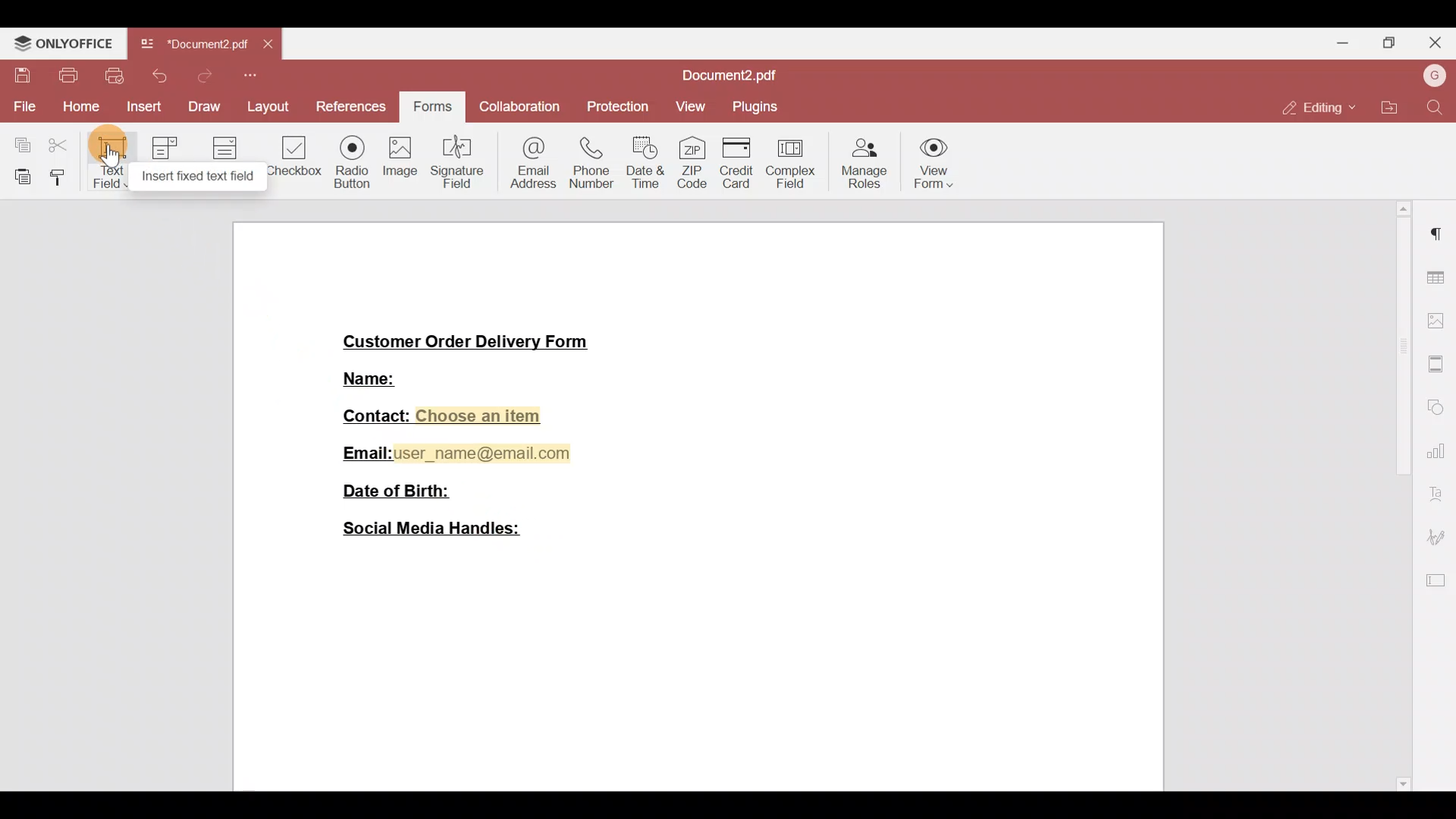 The height and width of the screenshot is (819, 1456). What do you see at coordinates (66, 76) in the screenshot?
I see `Print file` at bounding box center [66, 76].